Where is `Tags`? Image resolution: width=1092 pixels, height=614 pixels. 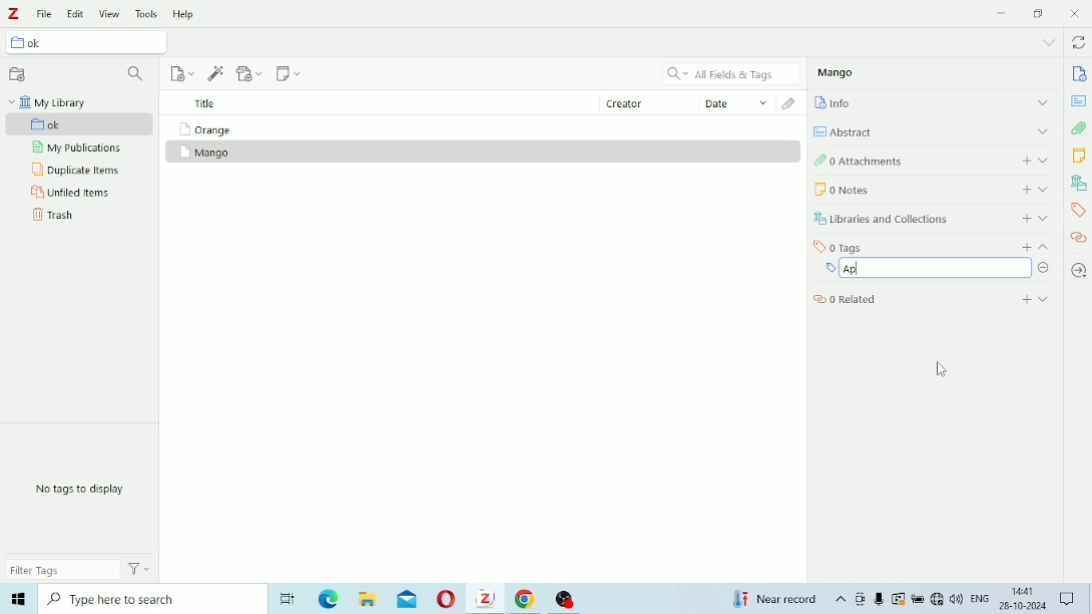
Tags is located at coordinates (1077, 210).